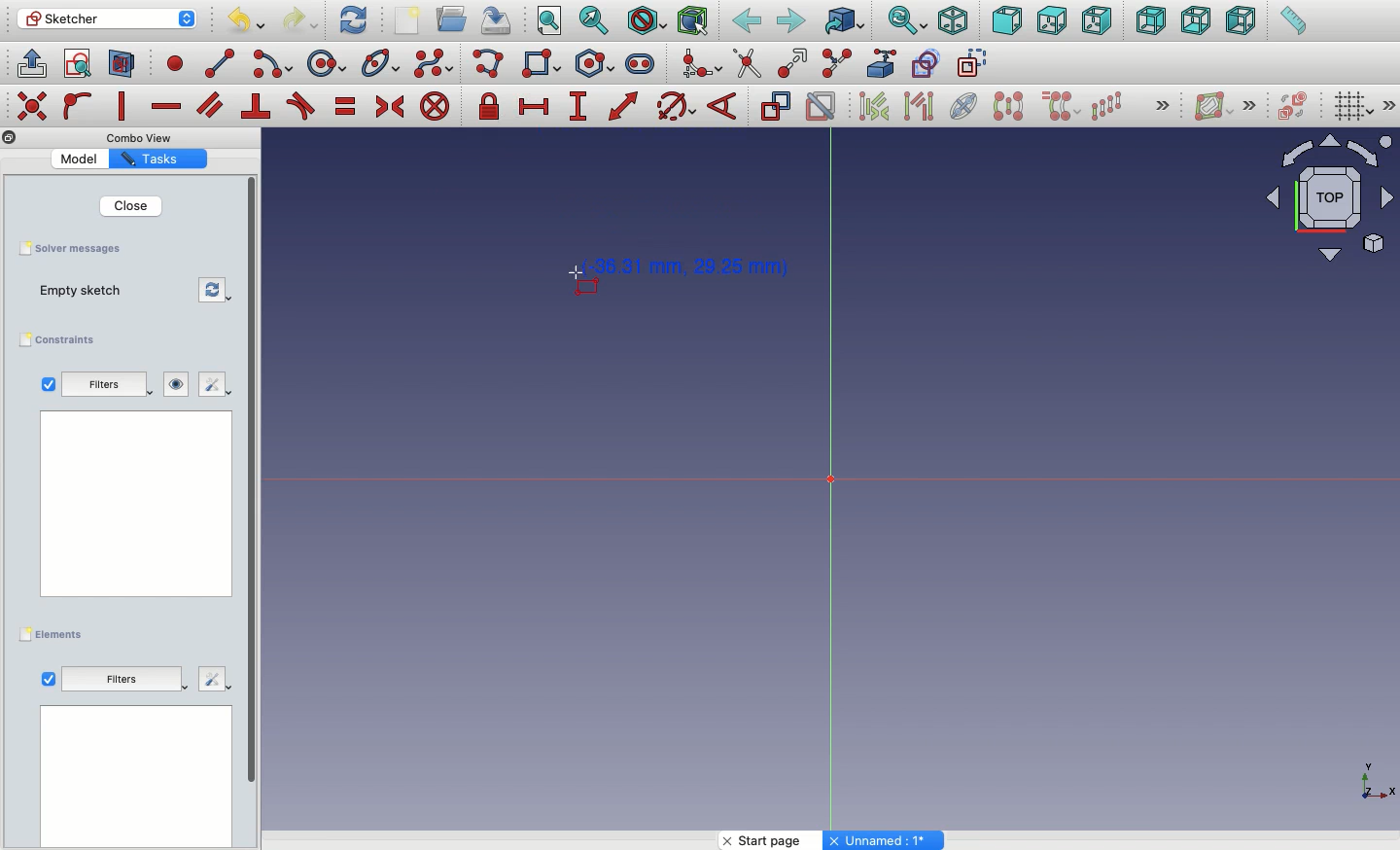 This screenshot has height=850, width=1400. What do you see at coordinates (677, 105) in the screenshot?
I see `constrain circle ` at bounding box center [677, 105].